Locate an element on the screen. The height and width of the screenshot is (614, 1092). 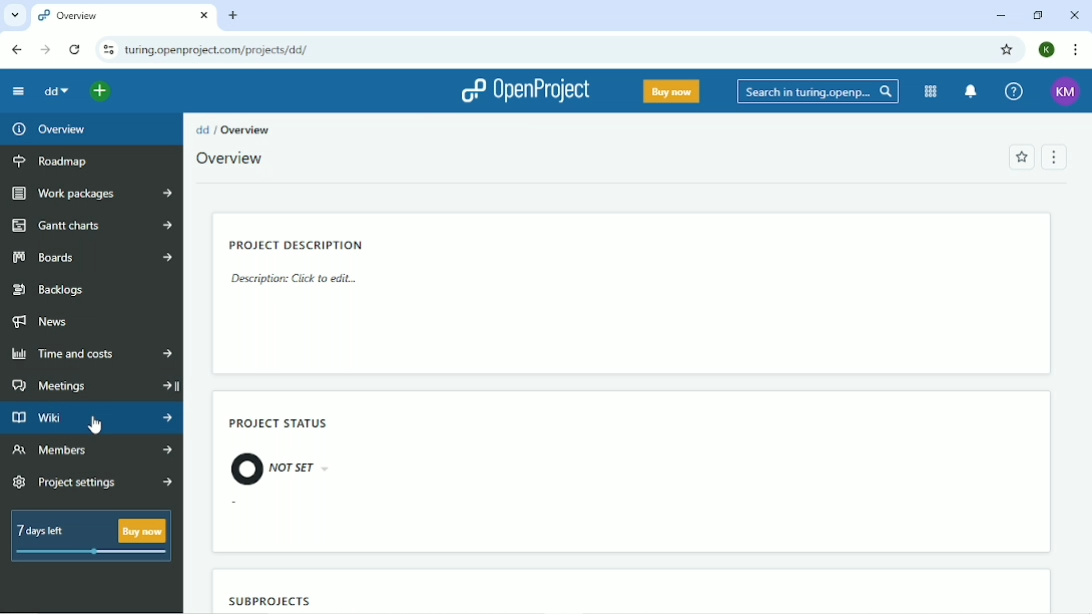
Gantt charts is located at coordinates (89, 226).